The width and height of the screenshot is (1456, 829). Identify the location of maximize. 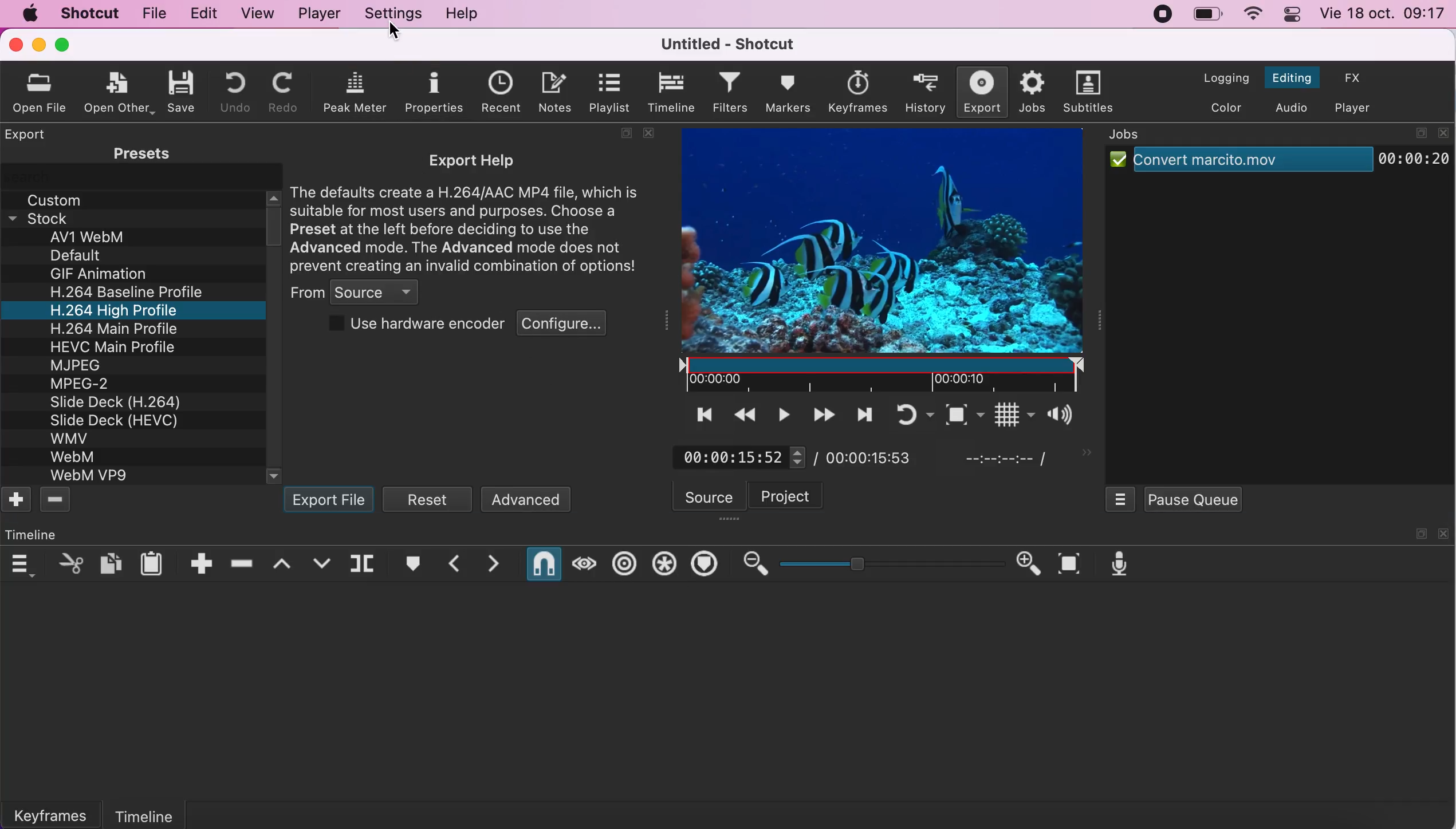
(62, 45).